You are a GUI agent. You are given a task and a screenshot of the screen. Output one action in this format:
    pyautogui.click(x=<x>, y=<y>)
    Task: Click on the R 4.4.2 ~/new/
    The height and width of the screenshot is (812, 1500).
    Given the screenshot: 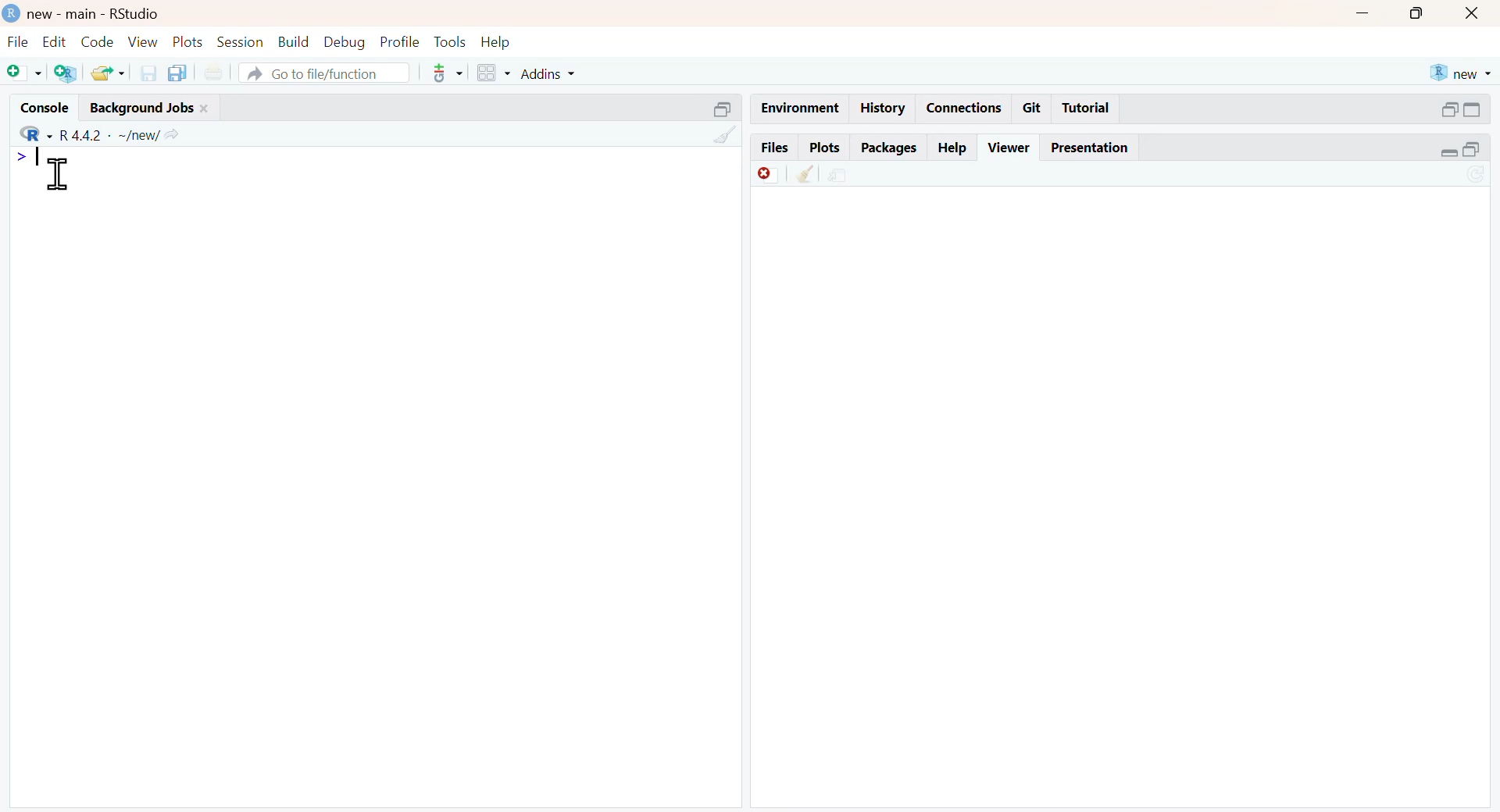 What is the action you would take?
    pyautogui.click(x=109, y=135)
    